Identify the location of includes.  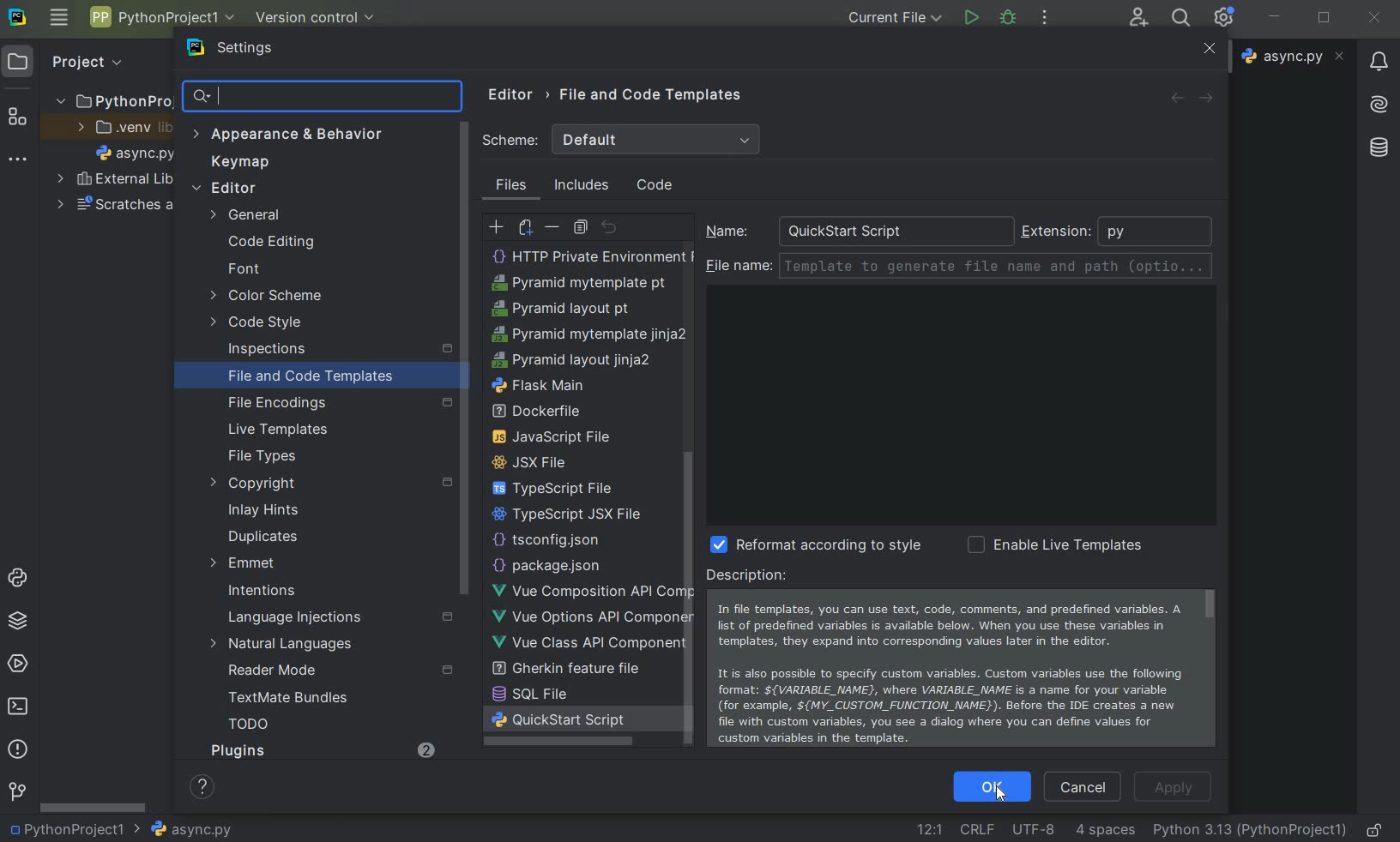
(582, 186).